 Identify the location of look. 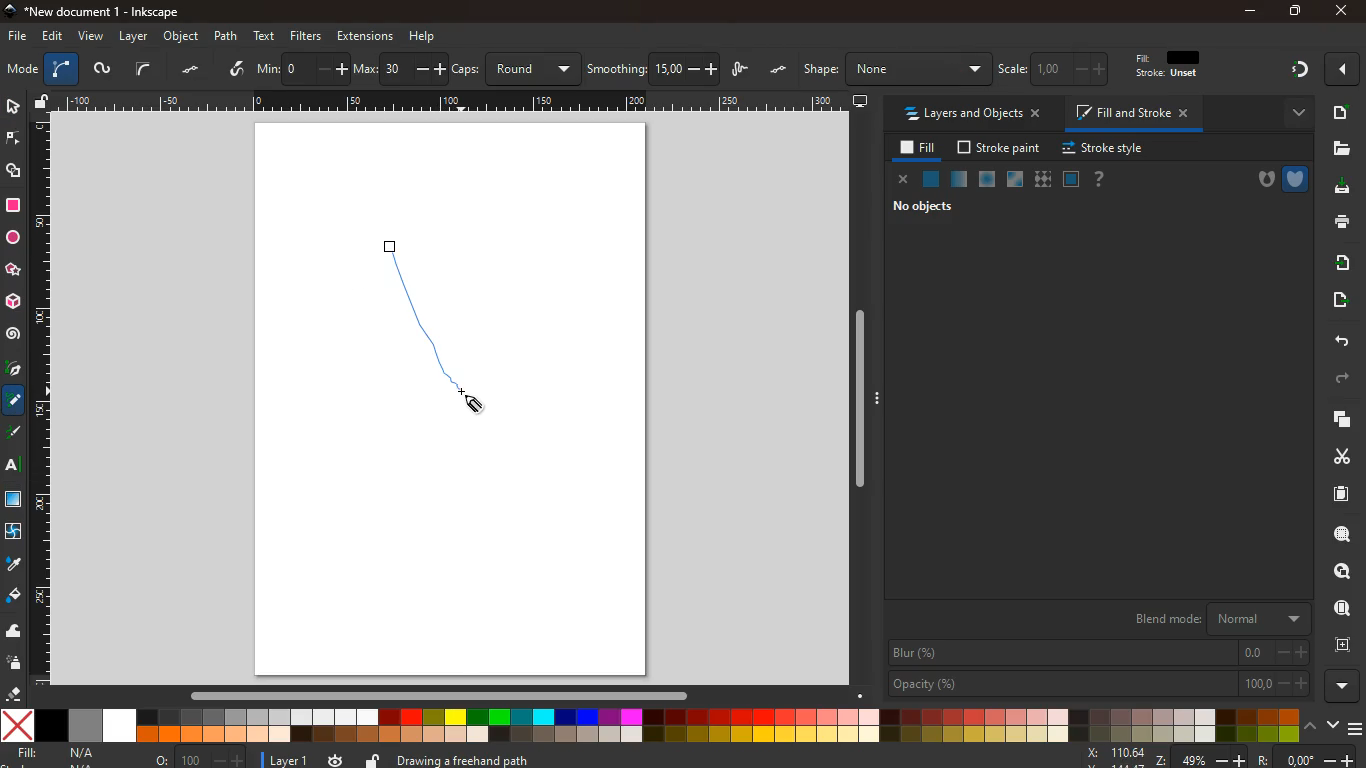
(1341, 610).